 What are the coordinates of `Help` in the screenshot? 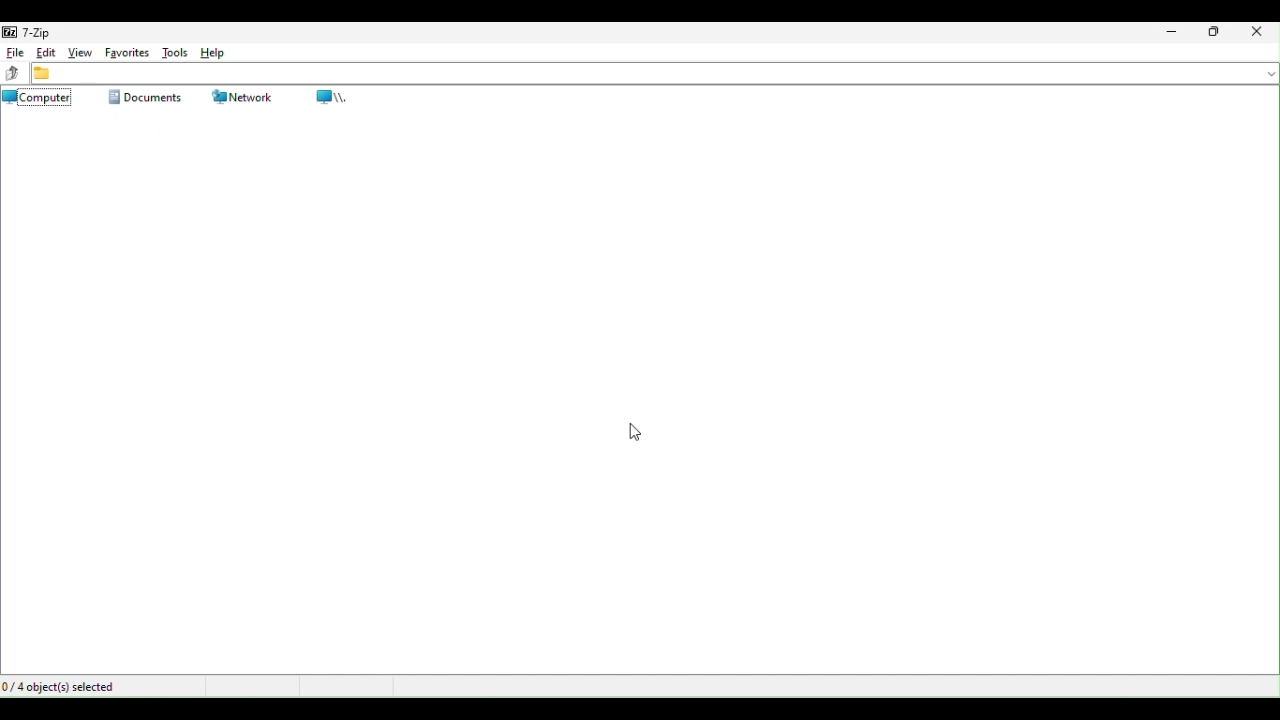 It's located at (216, 50).